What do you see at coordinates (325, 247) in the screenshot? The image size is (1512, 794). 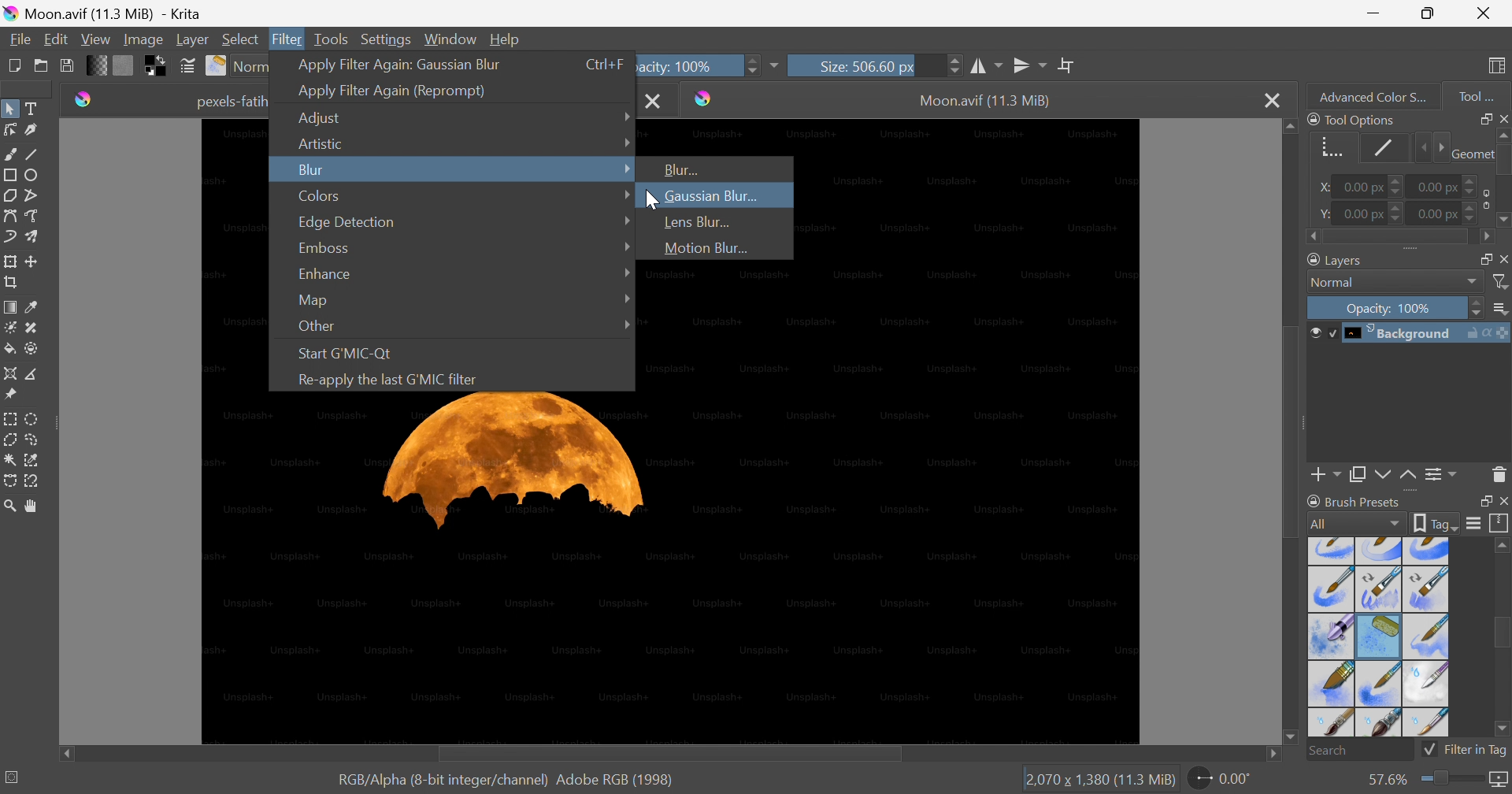 I see `Emboss` at bounding box center [325, 247].